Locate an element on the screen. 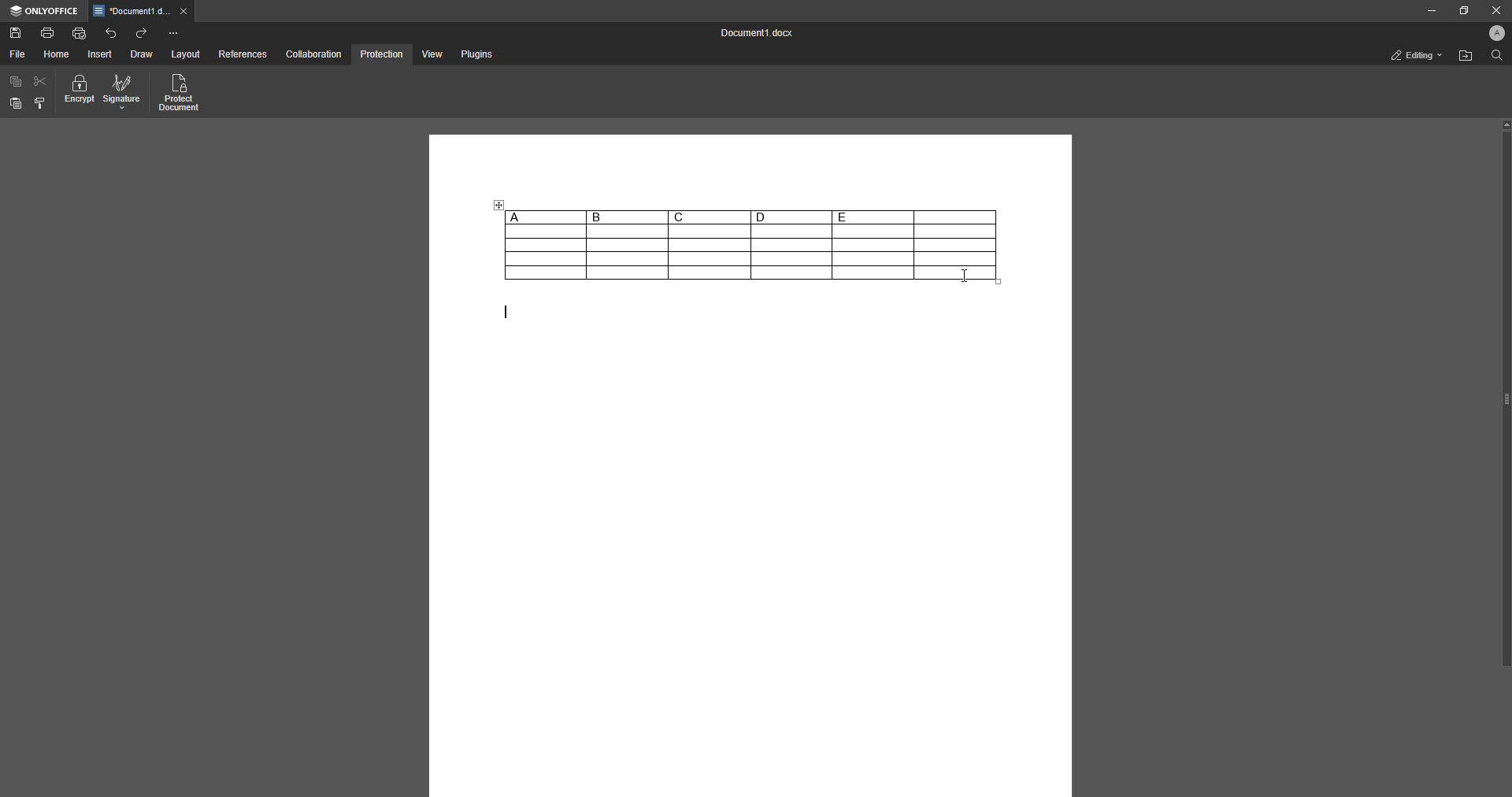  Save is located at coordinates (16, 34).